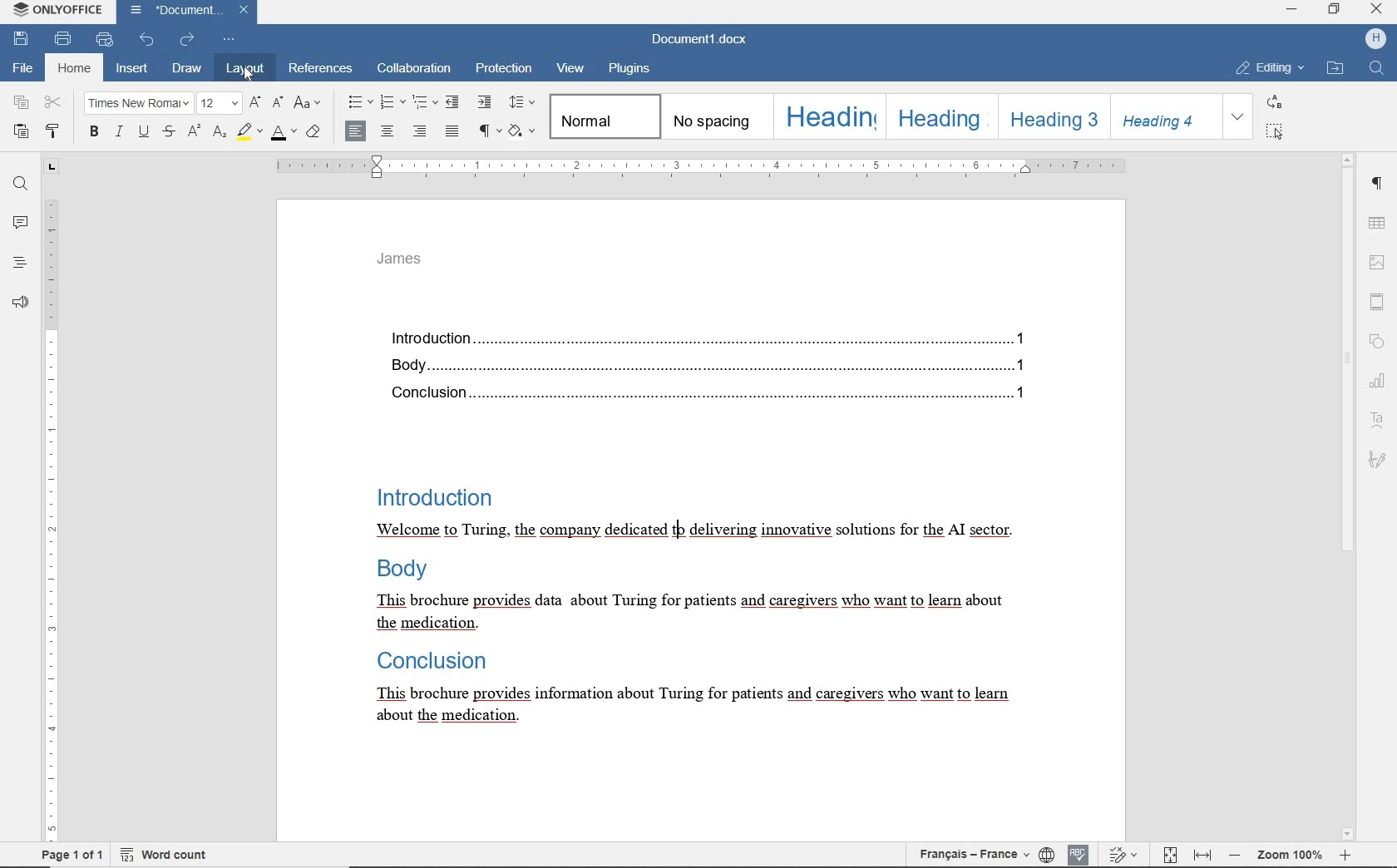  I want to click on REPLACE, so click(1274, 101).